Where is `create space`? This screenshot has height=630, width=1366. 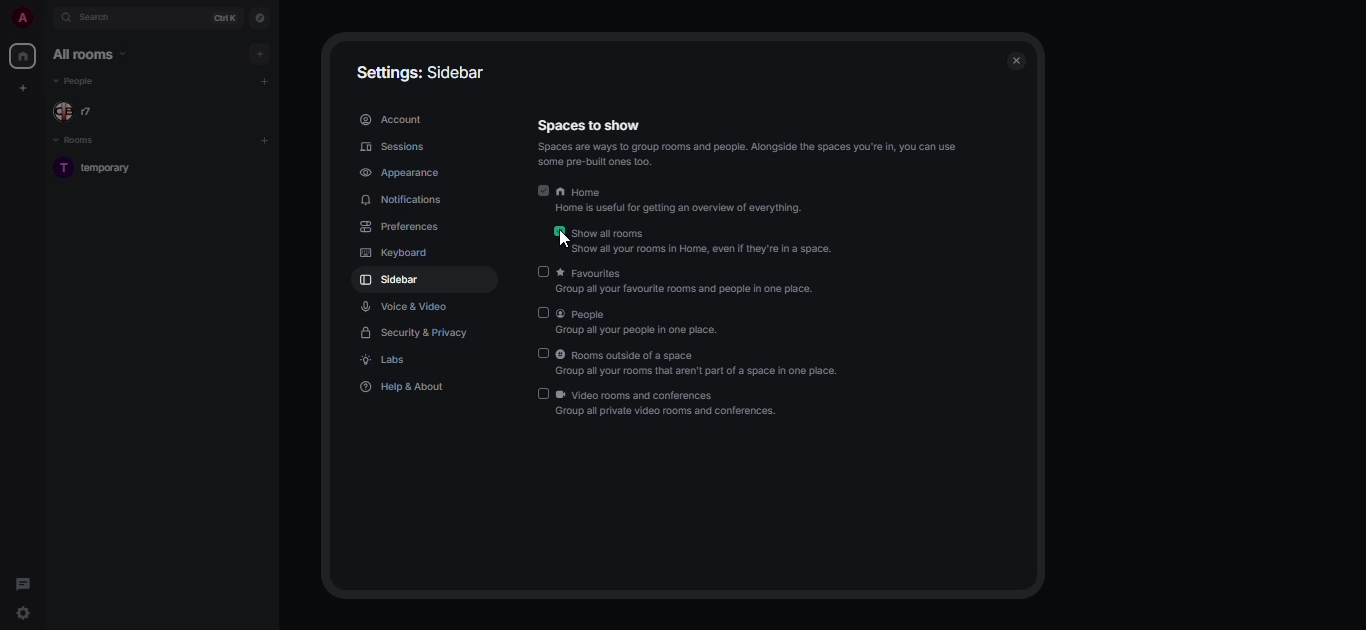
create space is located at coordinates (22, 88).